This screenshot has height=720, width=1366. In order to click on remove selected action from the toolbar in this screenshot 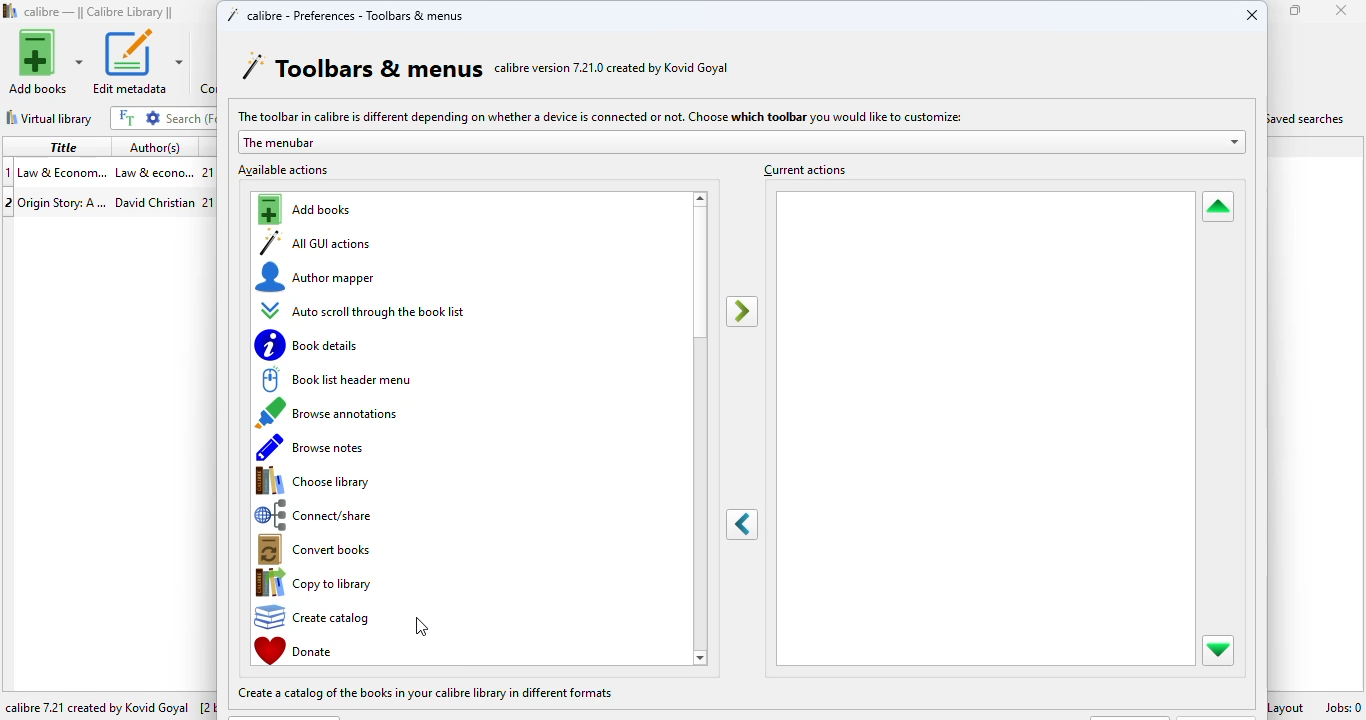, I will do `click(743, 525)`.